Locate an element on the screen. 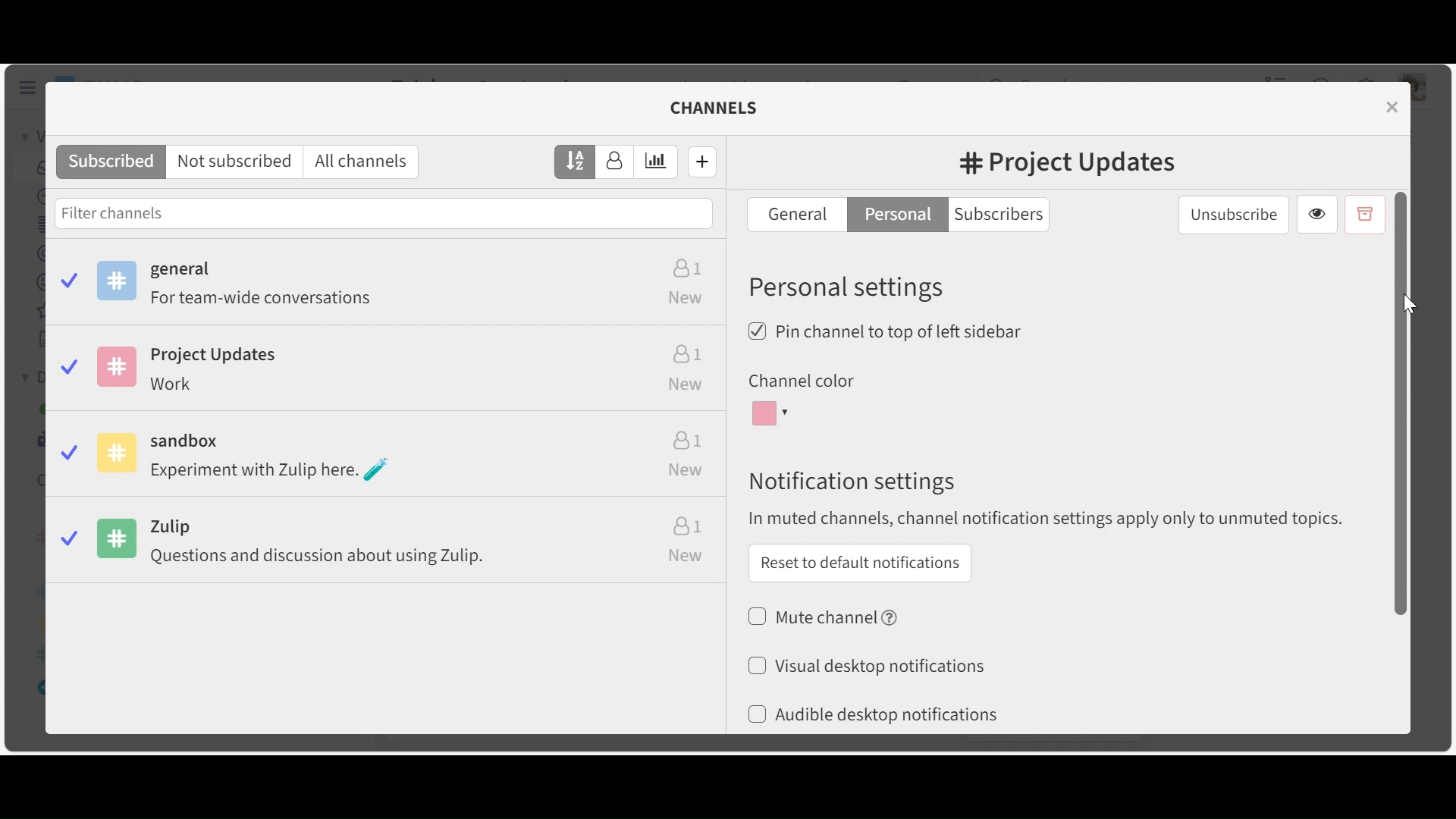 The image size is (1456, 819). #Channel is located at coordinates (1067, 165).